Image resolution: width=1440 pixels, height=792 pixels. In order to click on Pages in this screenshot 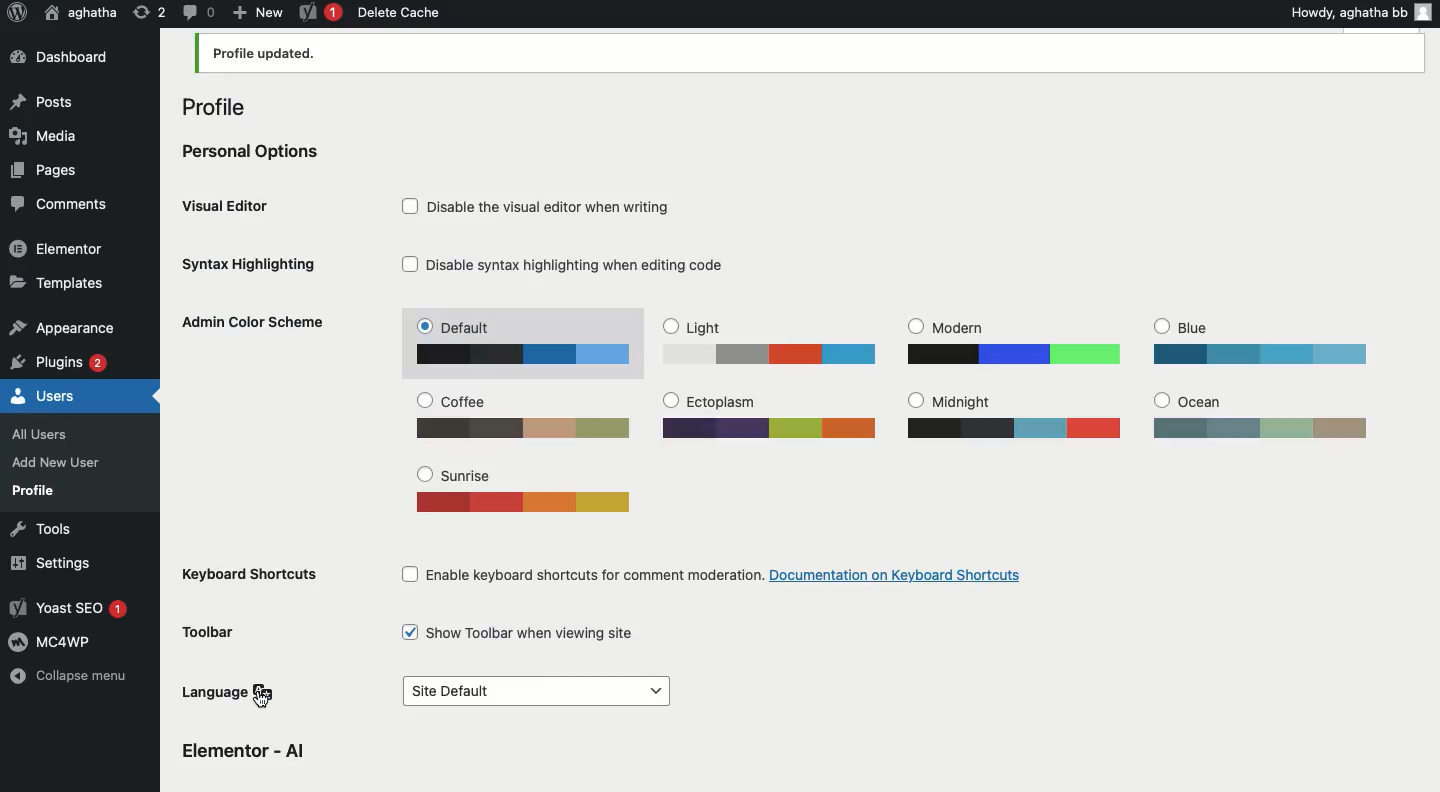, I will do `click(46, 169)`.